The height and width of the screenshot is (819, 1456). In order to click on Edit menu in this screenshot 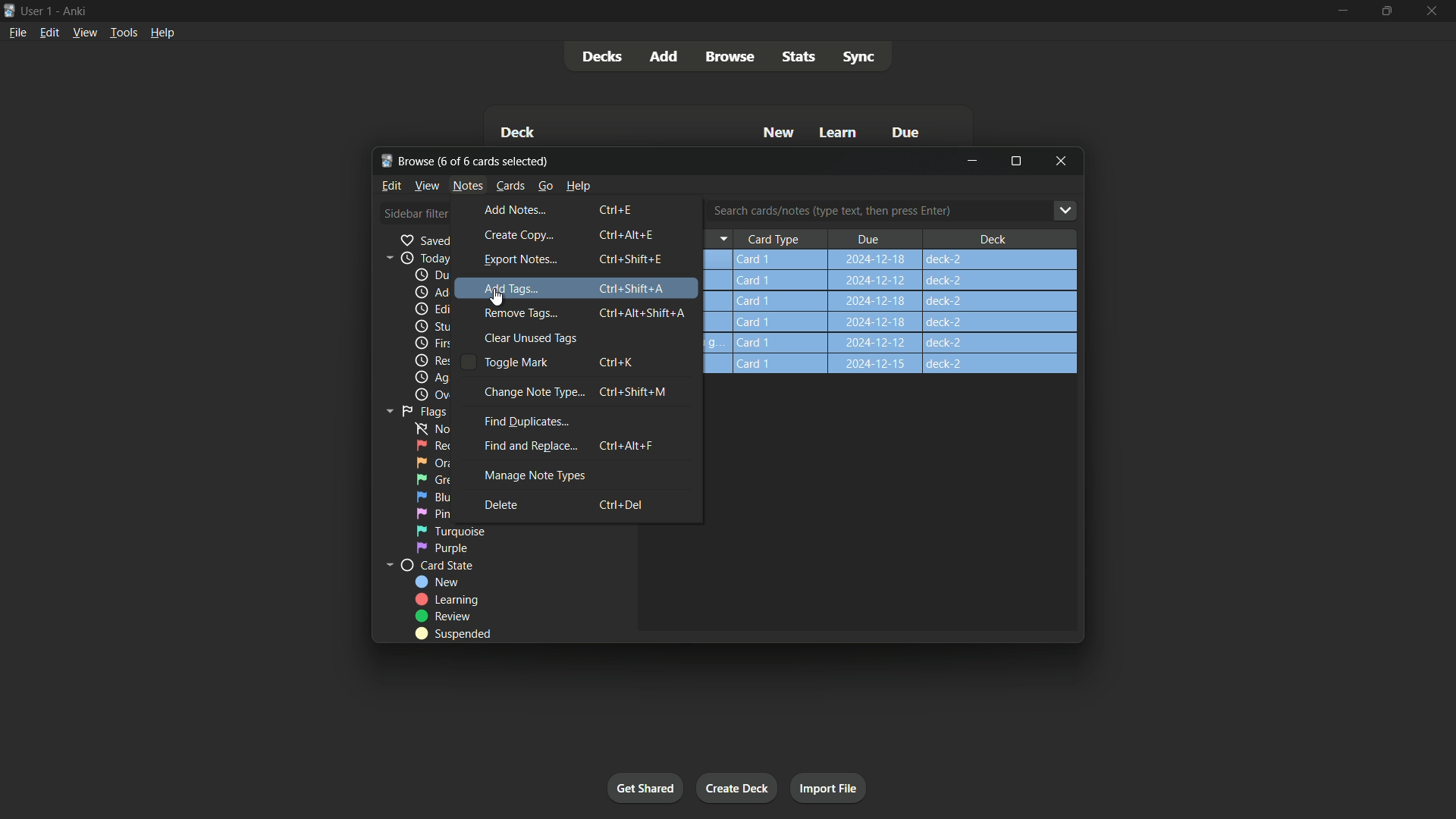, I will do `click(49, 34)`.